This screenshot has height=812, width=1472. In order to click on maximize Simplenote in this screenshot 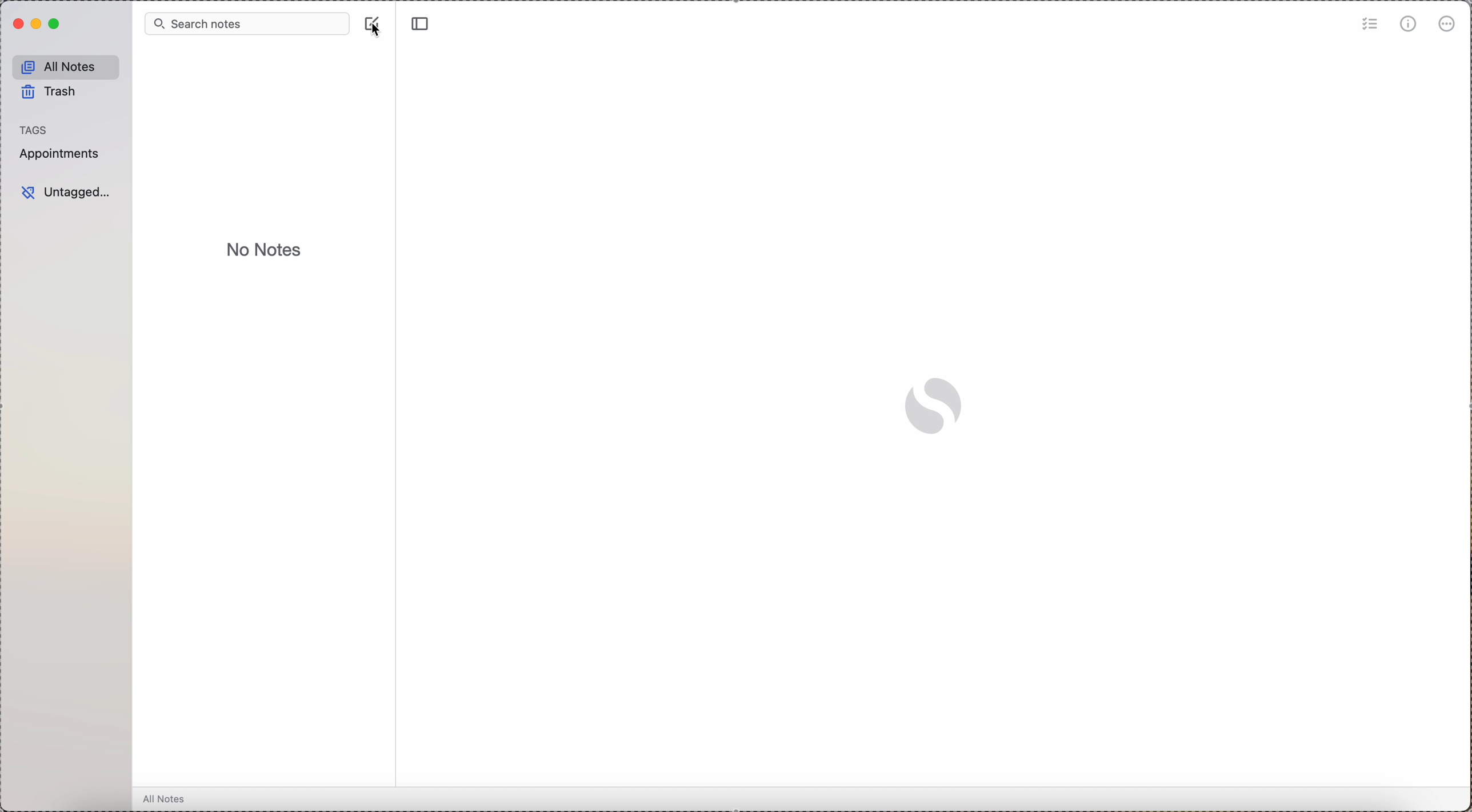, I will do `click(56, 24)`.